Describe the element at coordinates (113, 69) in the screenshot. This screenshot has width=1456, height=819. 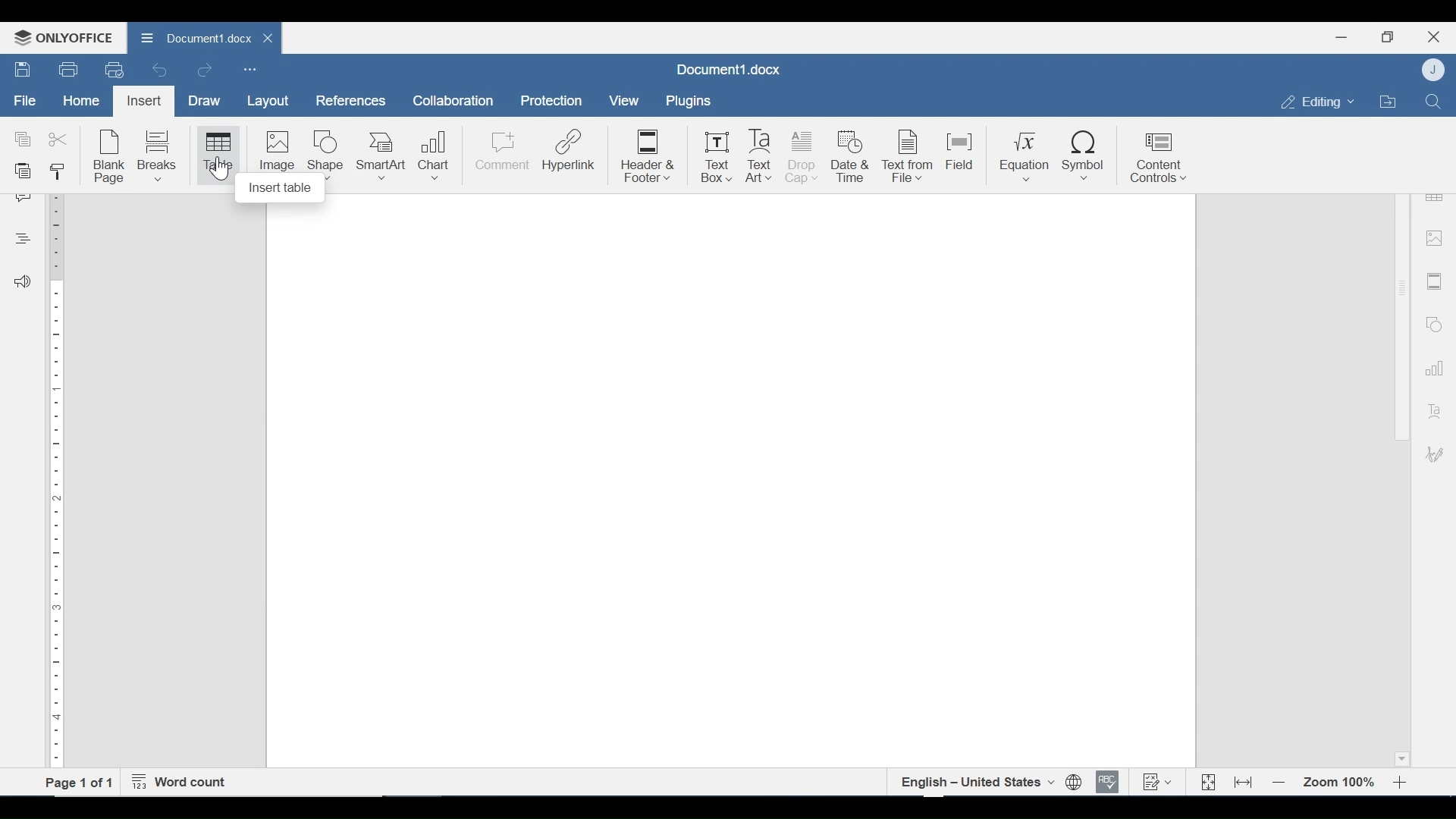
I see `Quick Print` at that location.